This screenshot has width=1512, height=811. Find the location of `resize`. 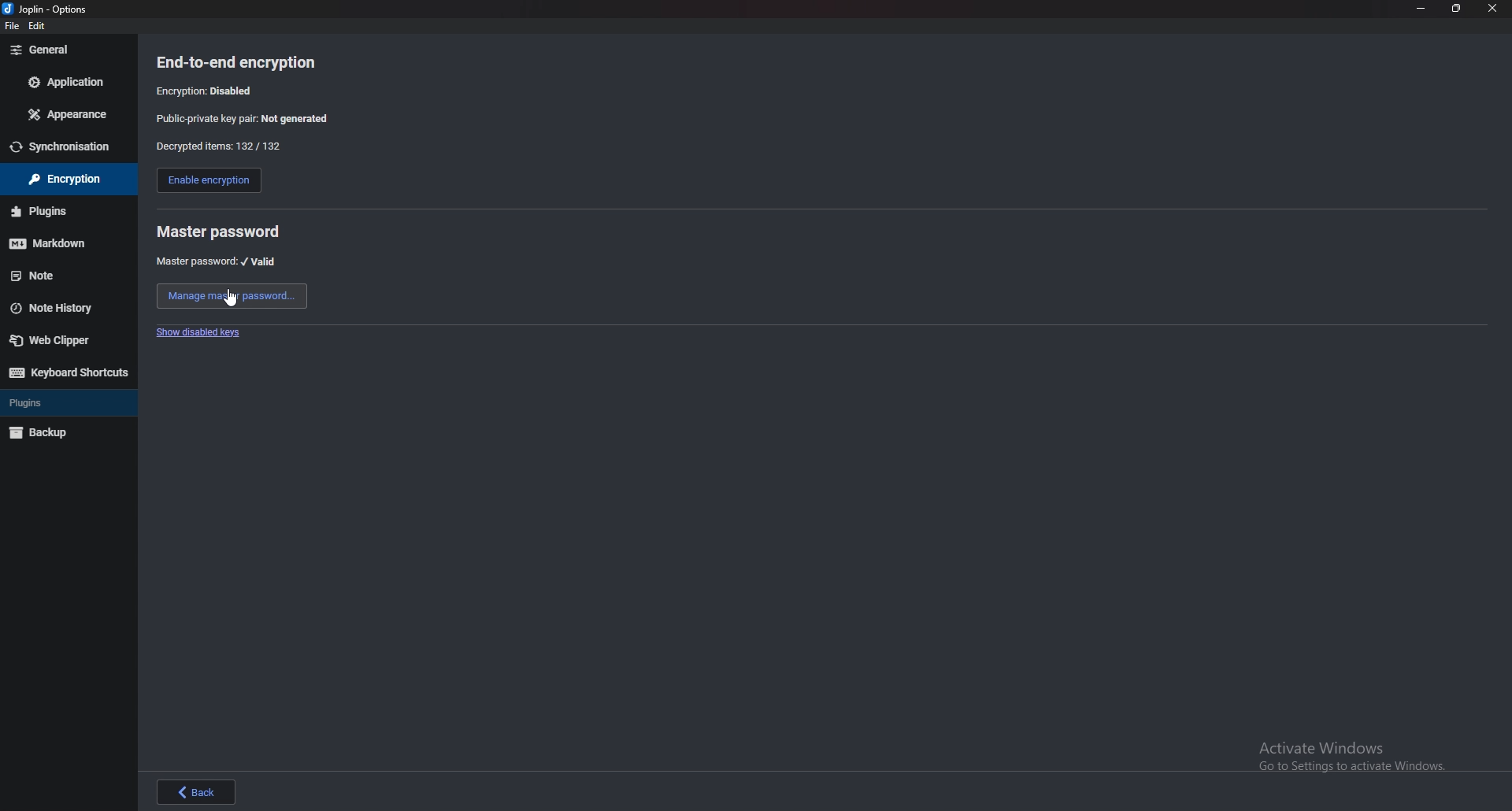

resize is located at coordinates (1458, 9).